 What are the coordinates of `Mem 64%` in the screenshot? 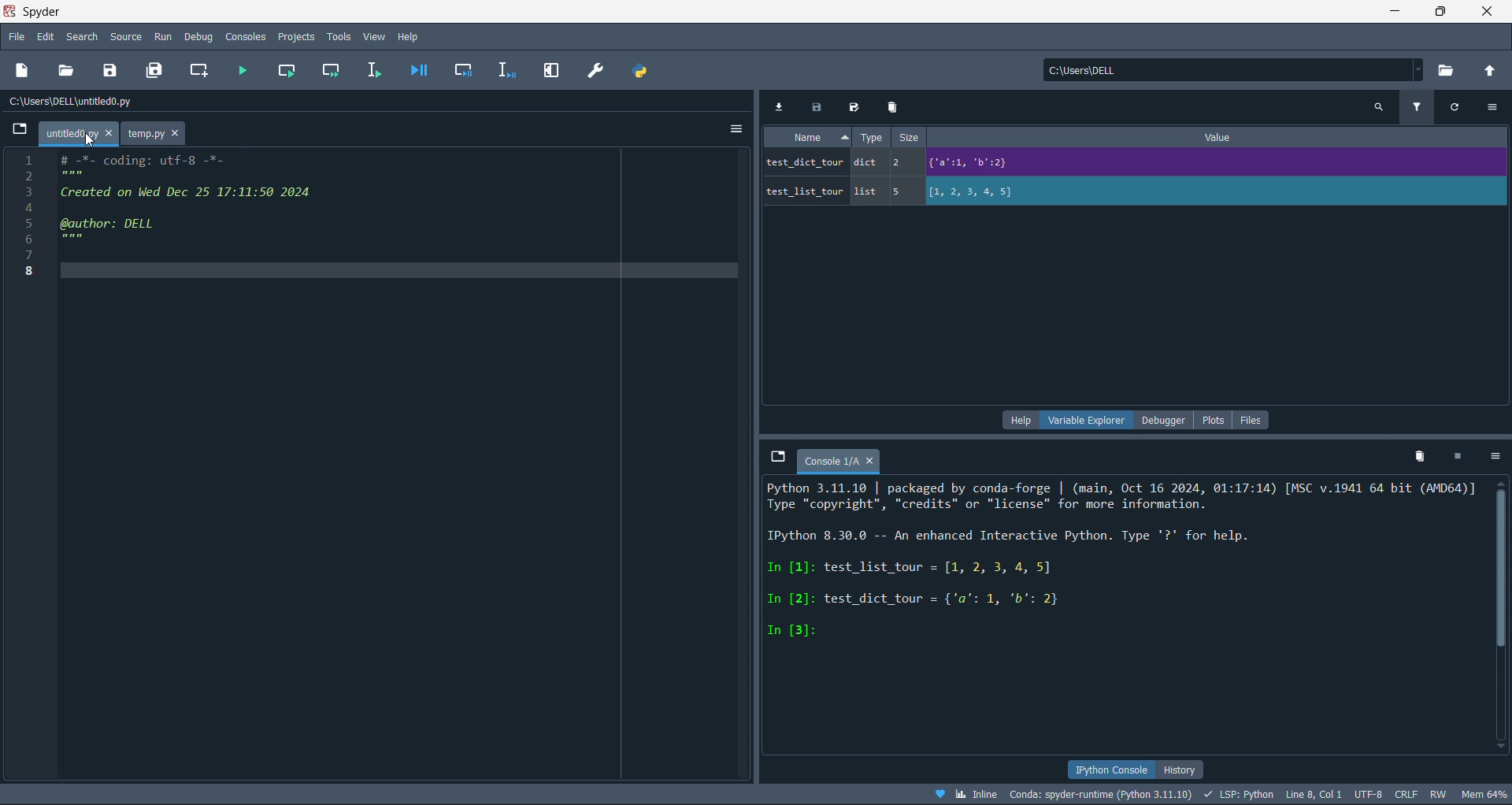 It's located at (1482, 794).